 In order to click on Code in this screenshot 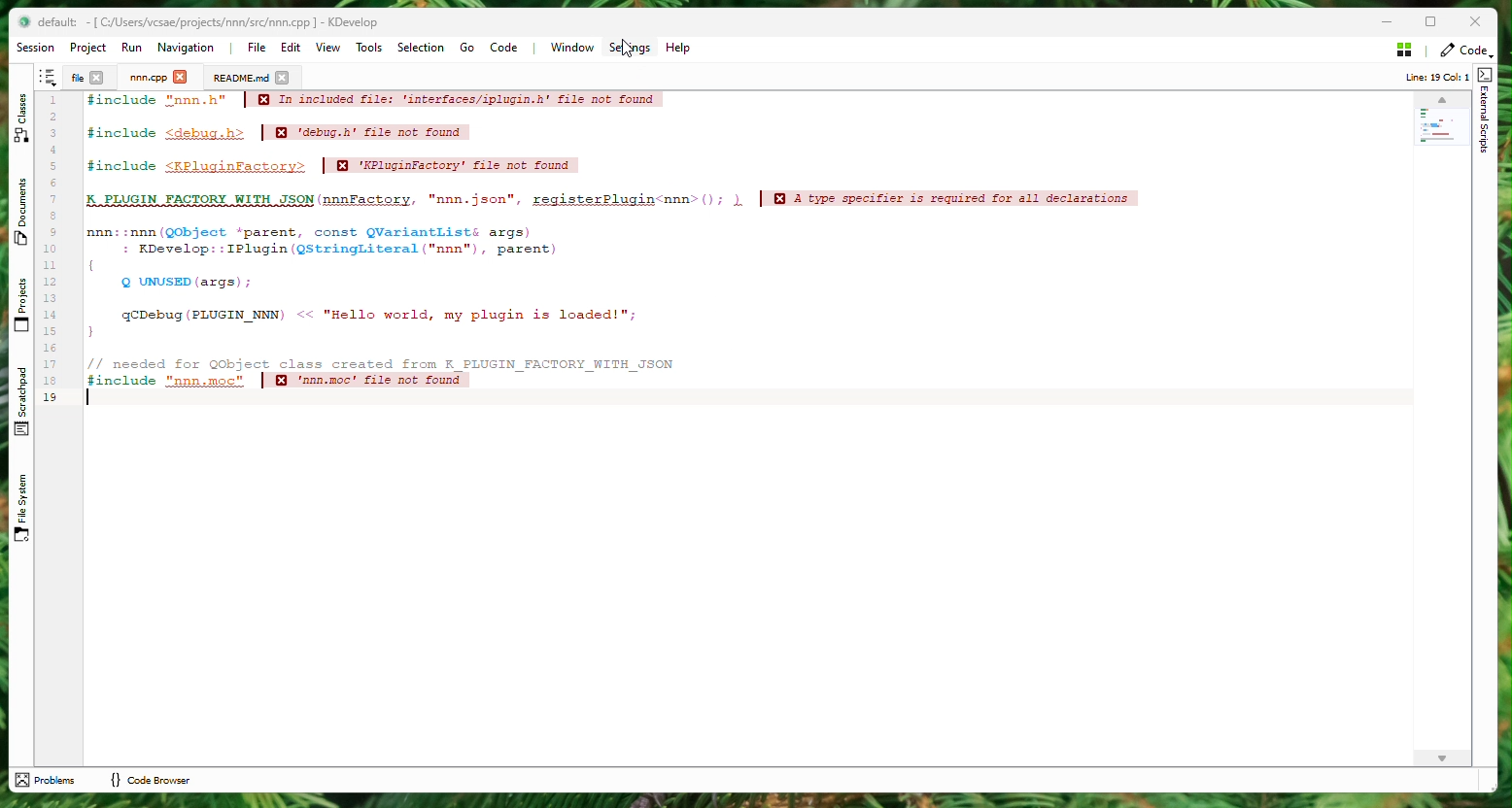, I will do `click(615, 252)`.